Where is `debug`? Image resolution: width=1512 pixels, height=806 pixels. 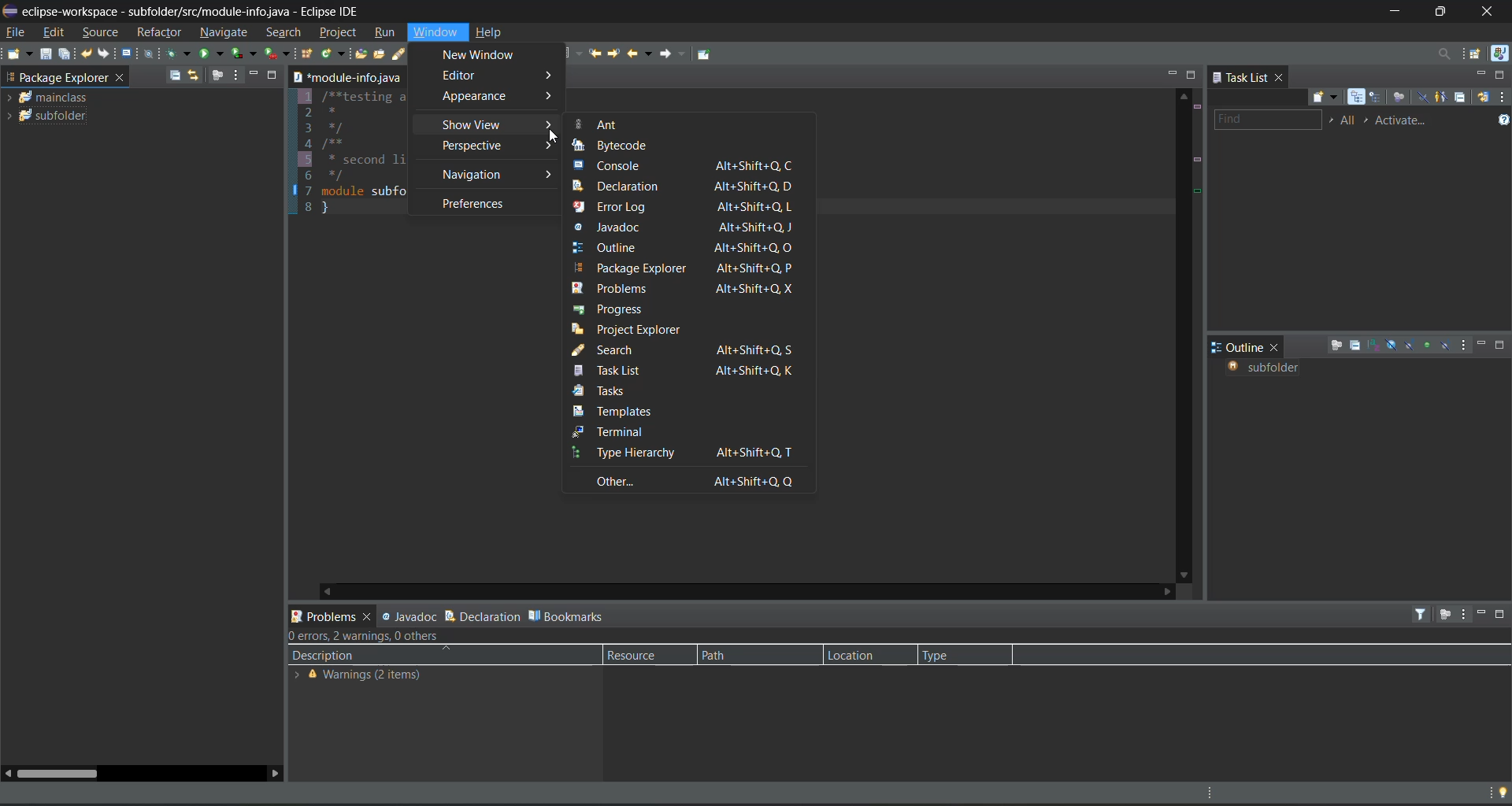 debug is located at coordinates (180, 54).